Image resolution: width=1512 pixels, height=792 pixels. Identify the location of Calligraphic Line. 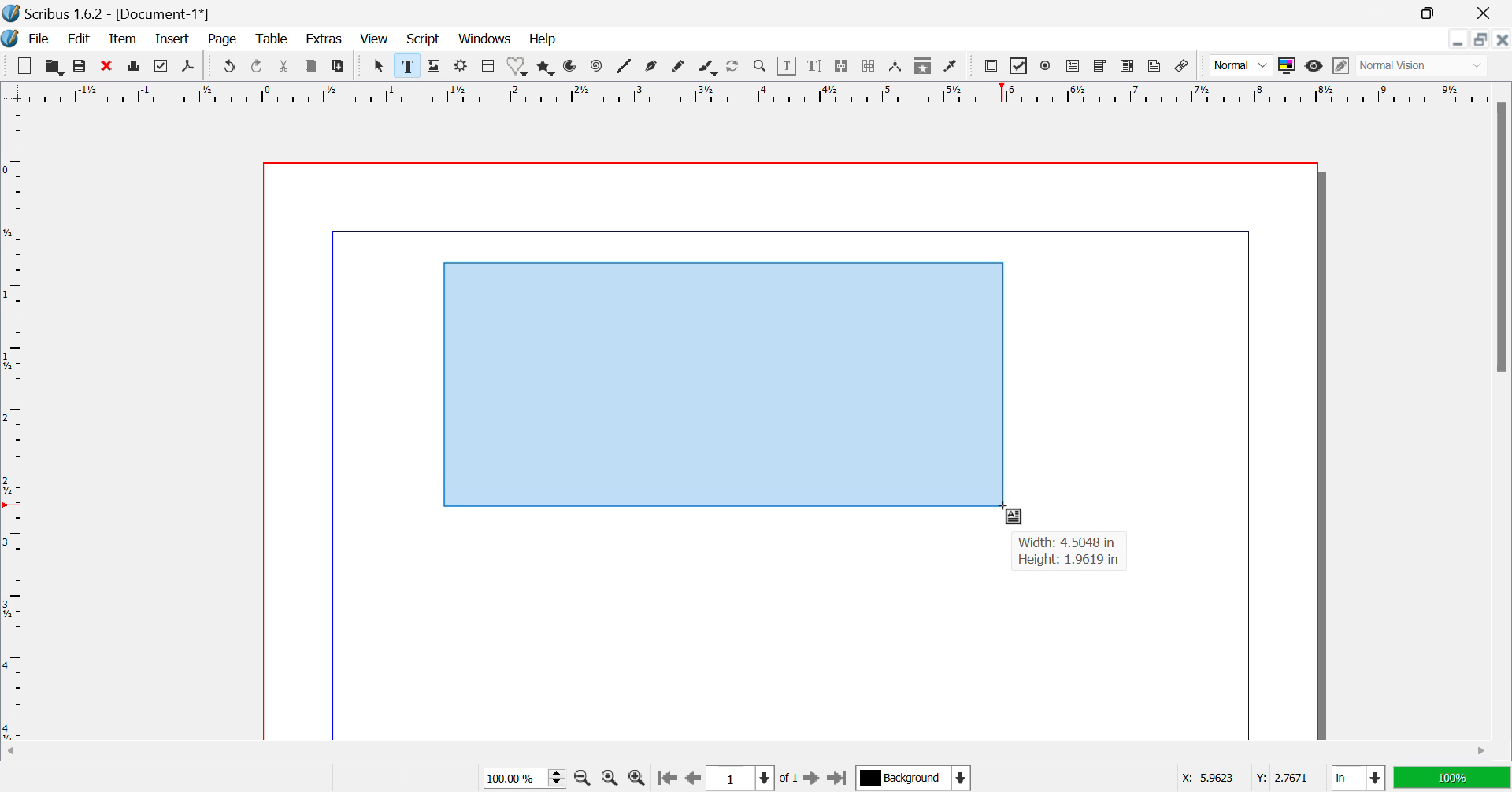
(707, 68).